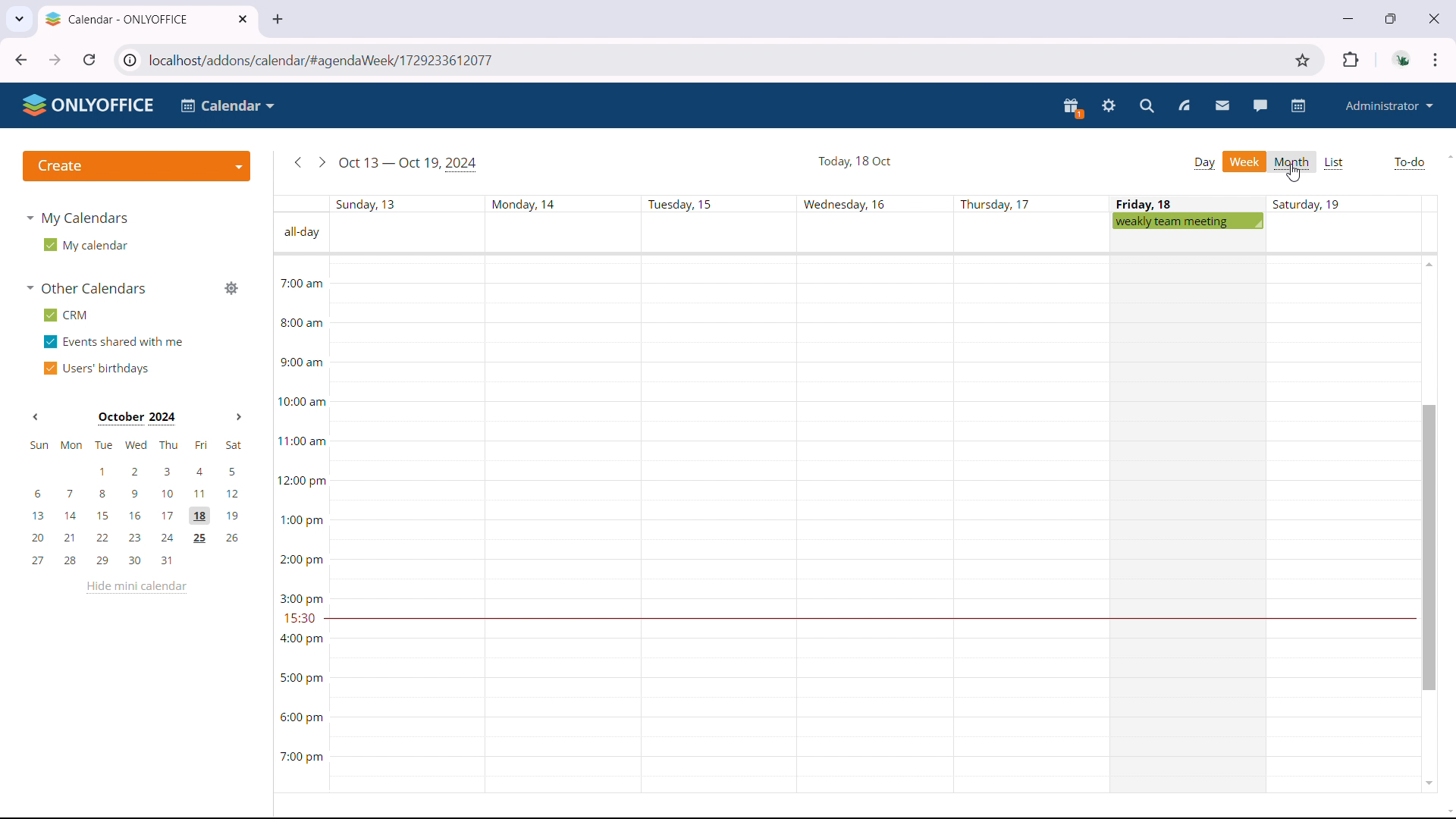 This screenshot has width=1456, height=819. I want to click on tab title, so click(118, 20).